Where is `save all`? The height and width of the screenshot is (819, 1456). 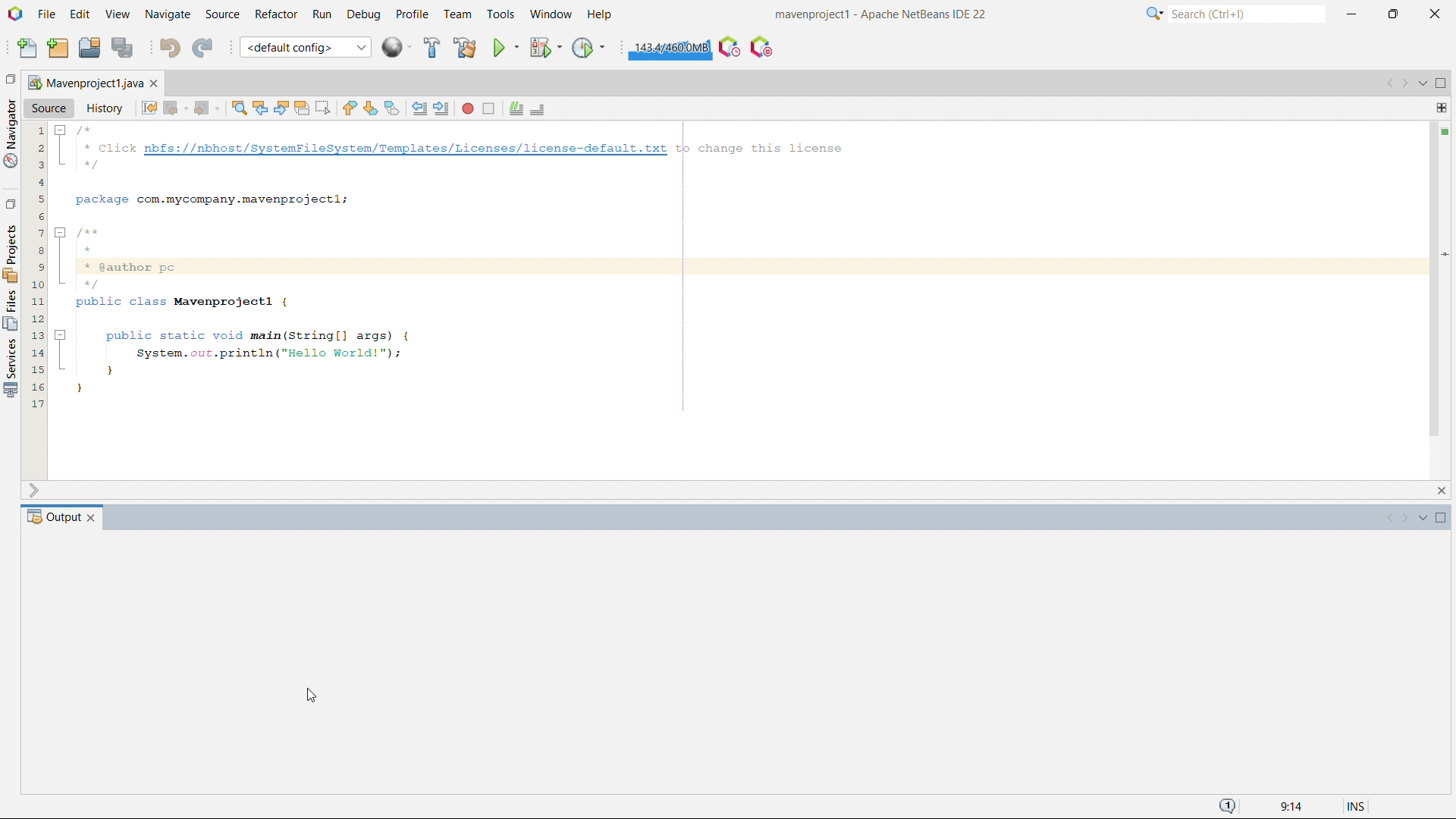
save all is located at coordinates (121, 46).